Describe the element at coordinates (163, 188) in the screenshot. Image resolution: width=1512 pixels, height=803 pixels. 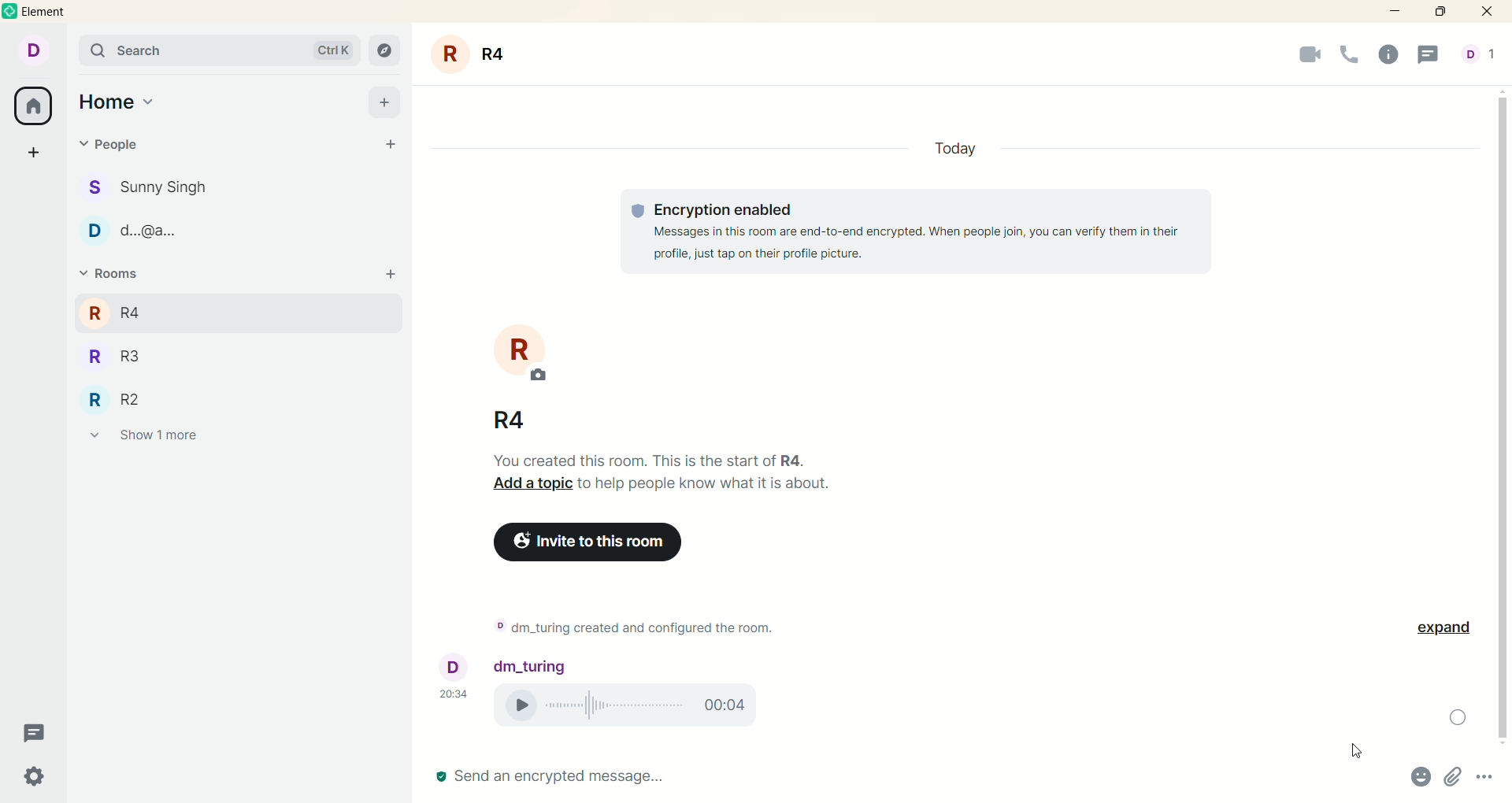
I see `people` at that location.